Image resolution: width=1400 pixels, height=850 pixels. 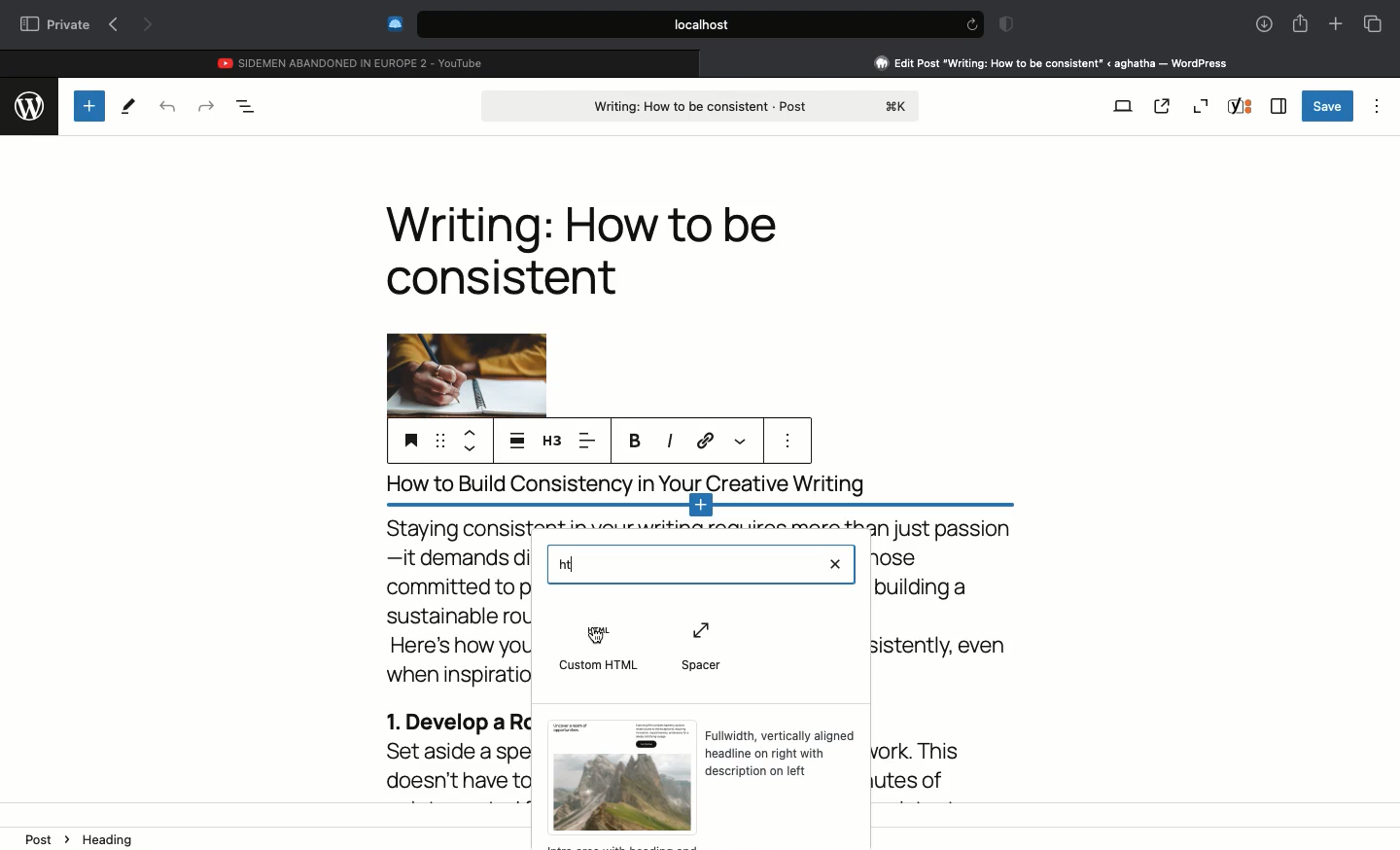 I want to click on HT, so click(x=572, y=567).